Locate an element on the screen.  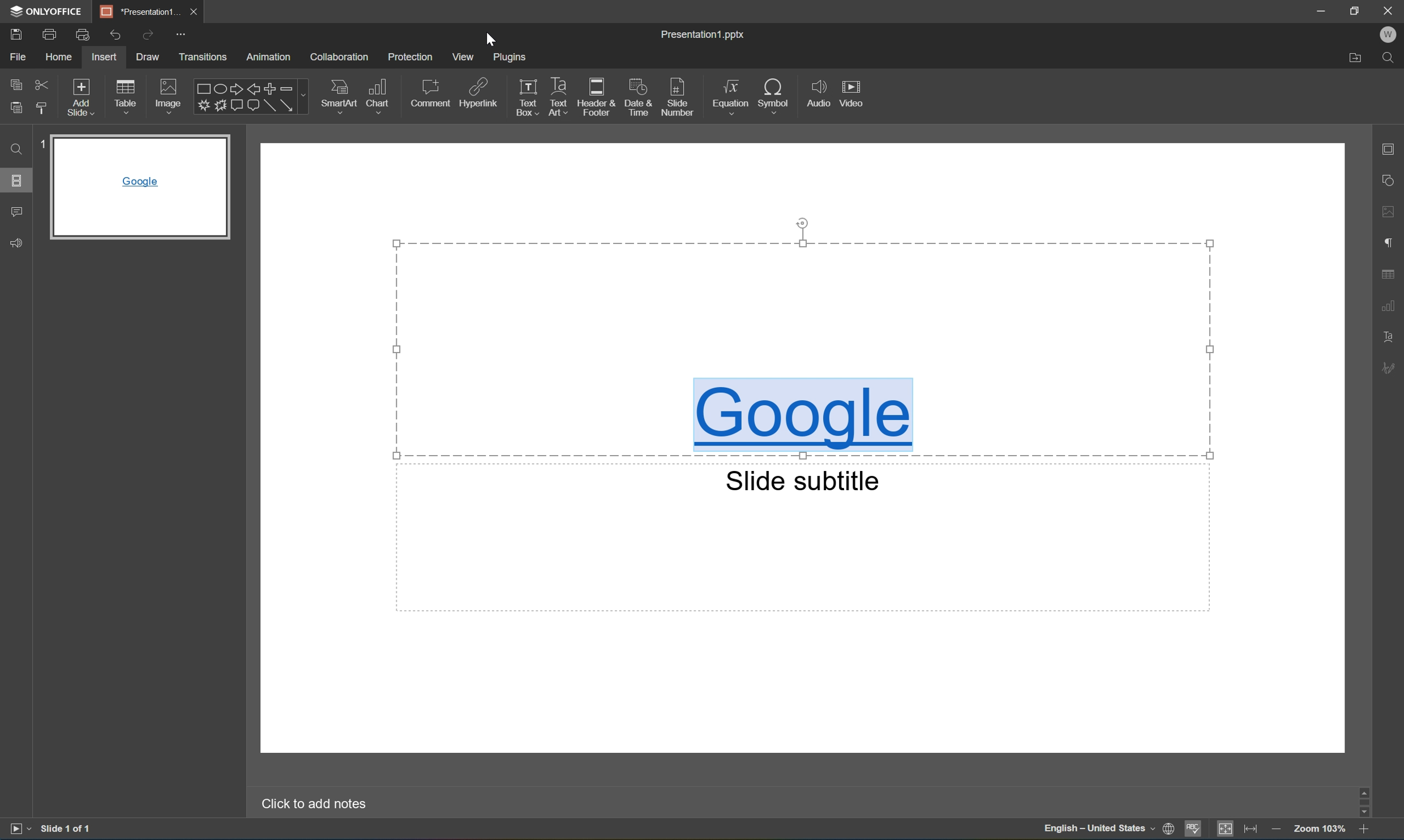
Shapes is located at coordinates (243, 97).